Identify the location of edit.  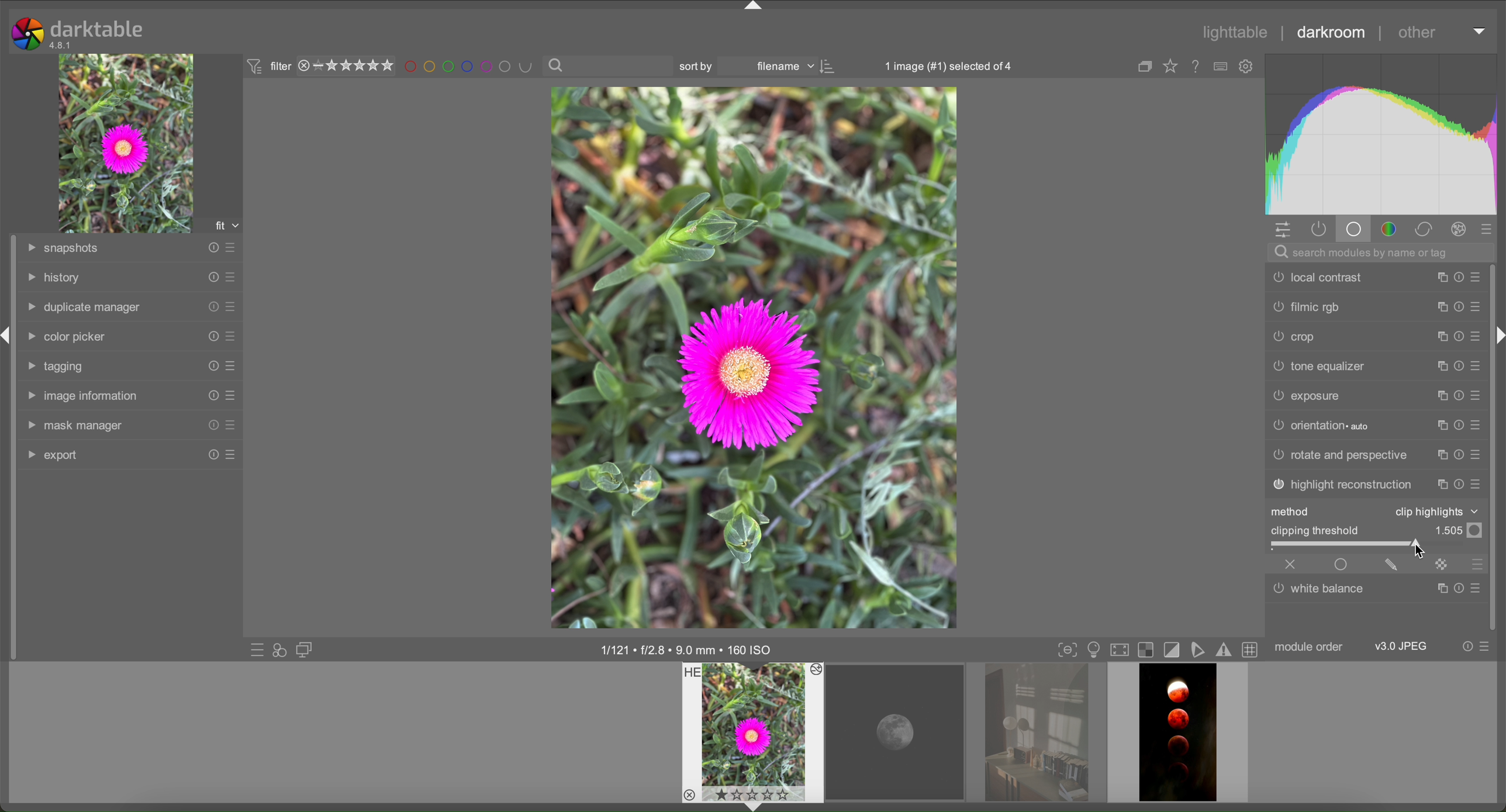
(1391, 564).